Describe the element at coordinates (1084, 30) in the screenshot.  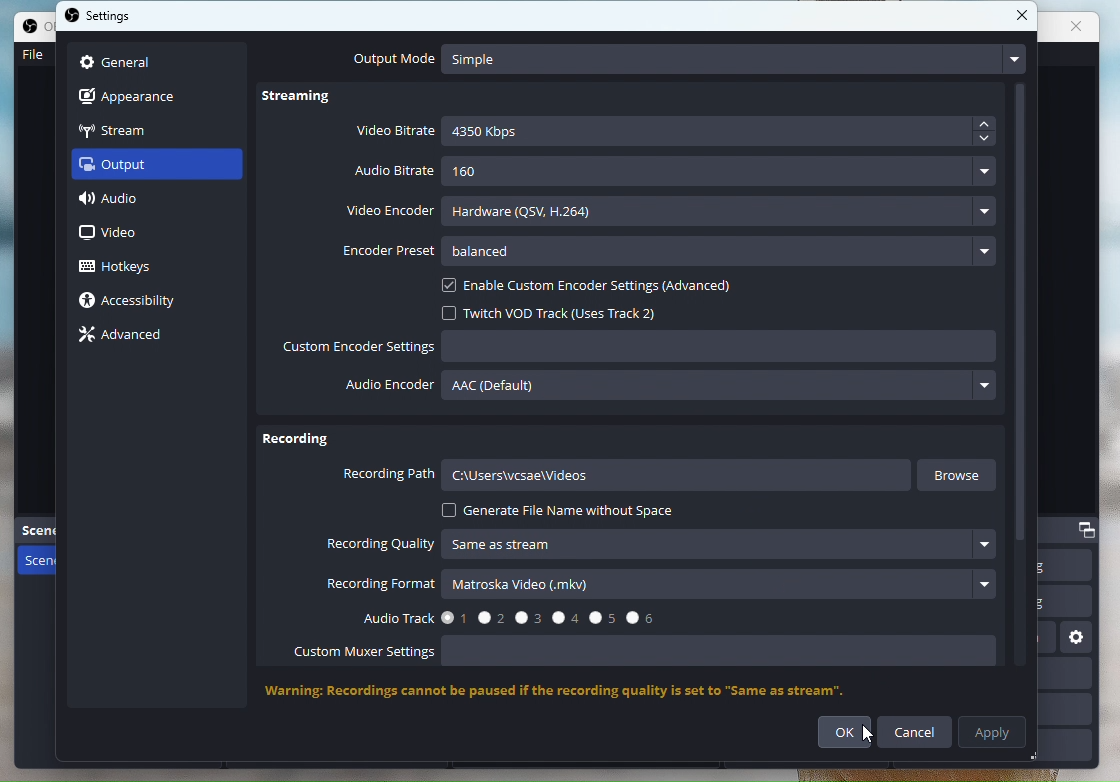
I see `close` at that location.